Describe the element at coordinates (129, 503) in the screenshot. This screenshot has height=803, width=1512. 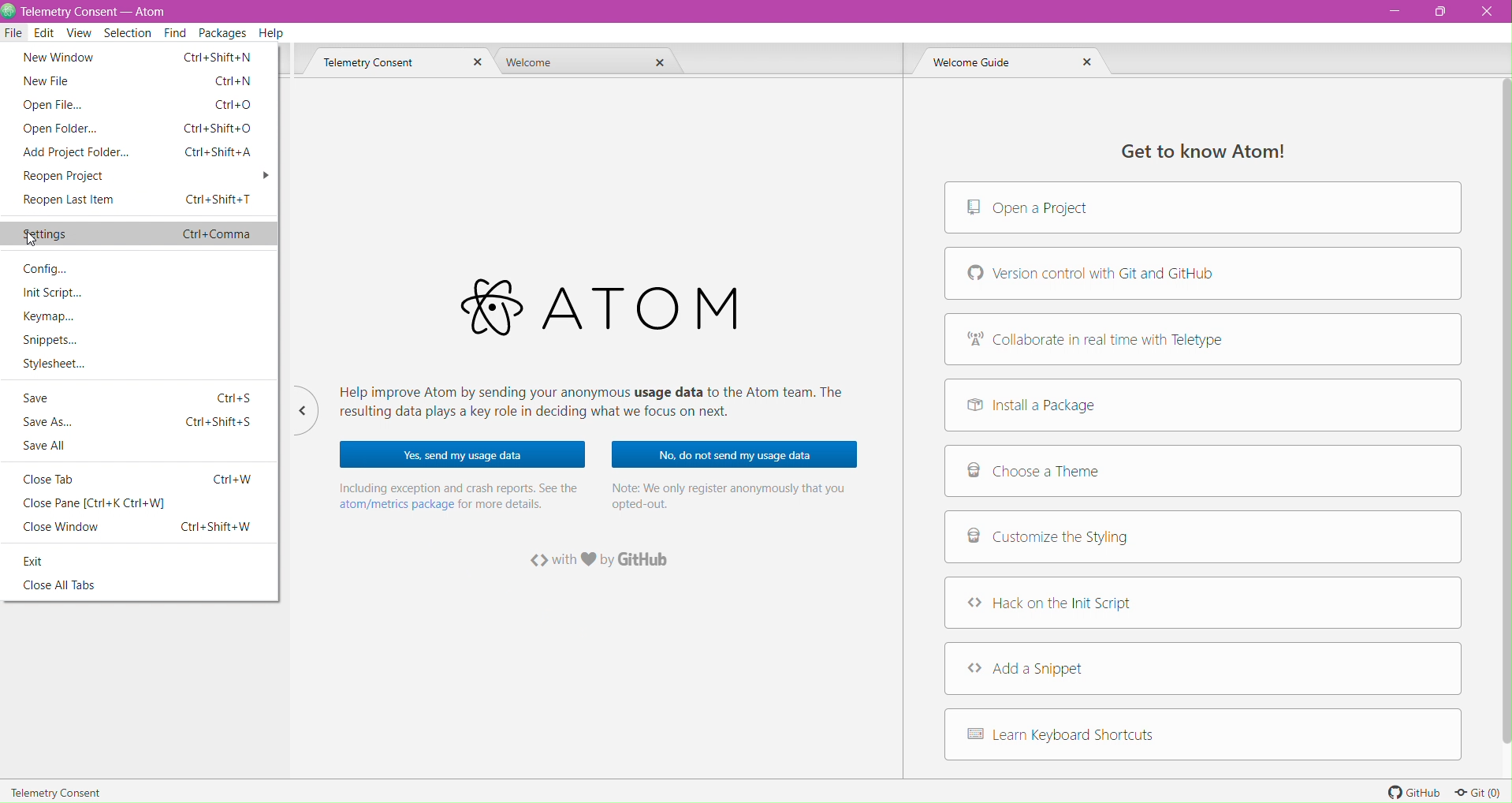
I see `Close Pane` at that location.